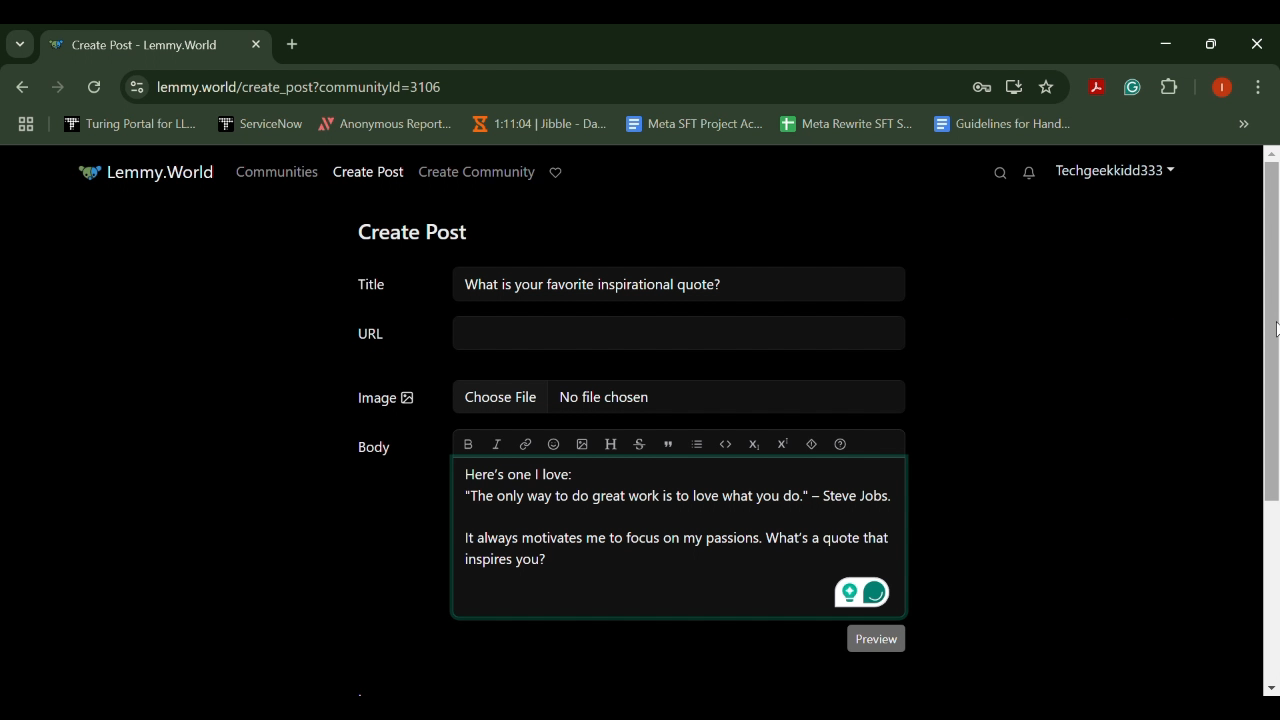 The image size is (1280, 720). Describe the element at coordinates (1170, 43) in the screenshot. I see `Restore Down` at that location.